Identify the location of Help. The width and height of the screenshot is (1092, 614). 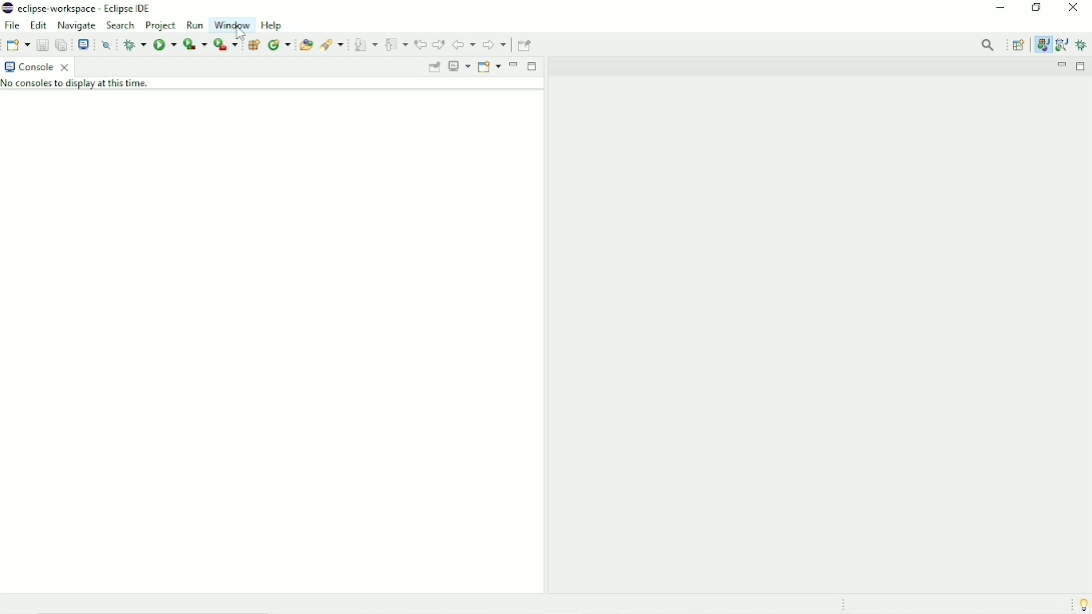
(273, 25).